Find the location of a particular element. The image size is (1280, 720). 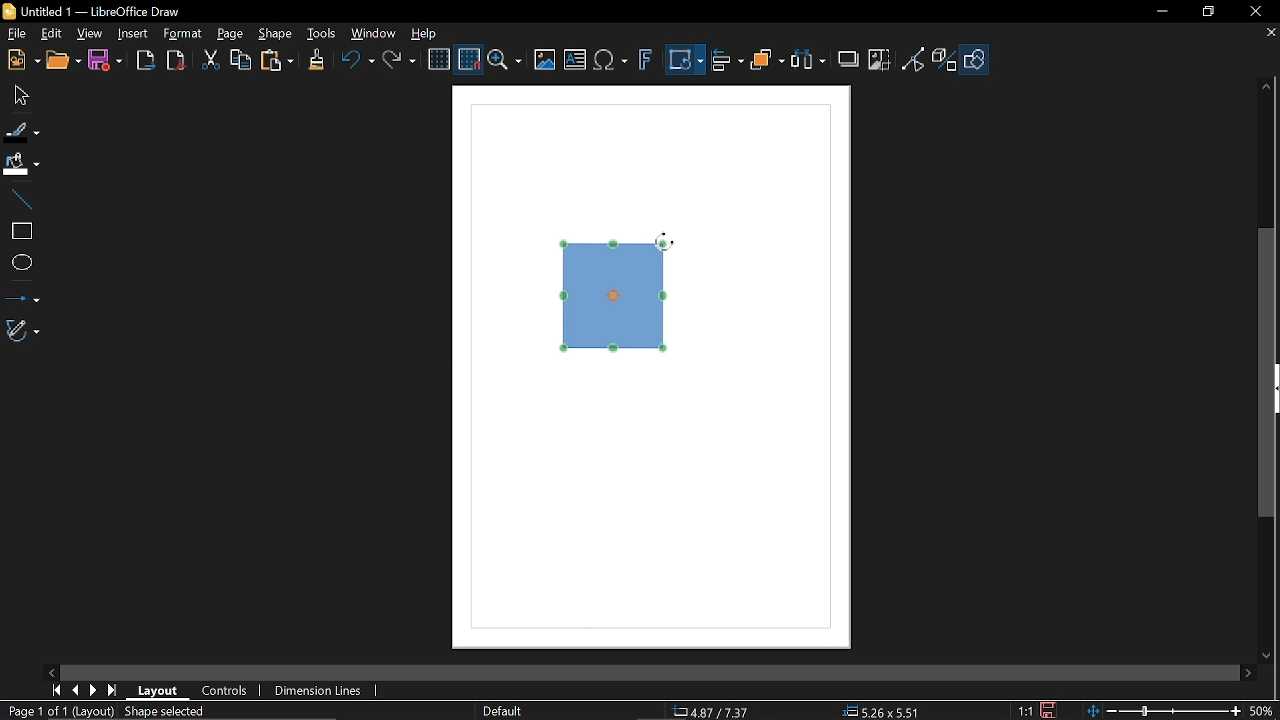

1:1 (Scaling factor) is located at coordinates (1026, 712).